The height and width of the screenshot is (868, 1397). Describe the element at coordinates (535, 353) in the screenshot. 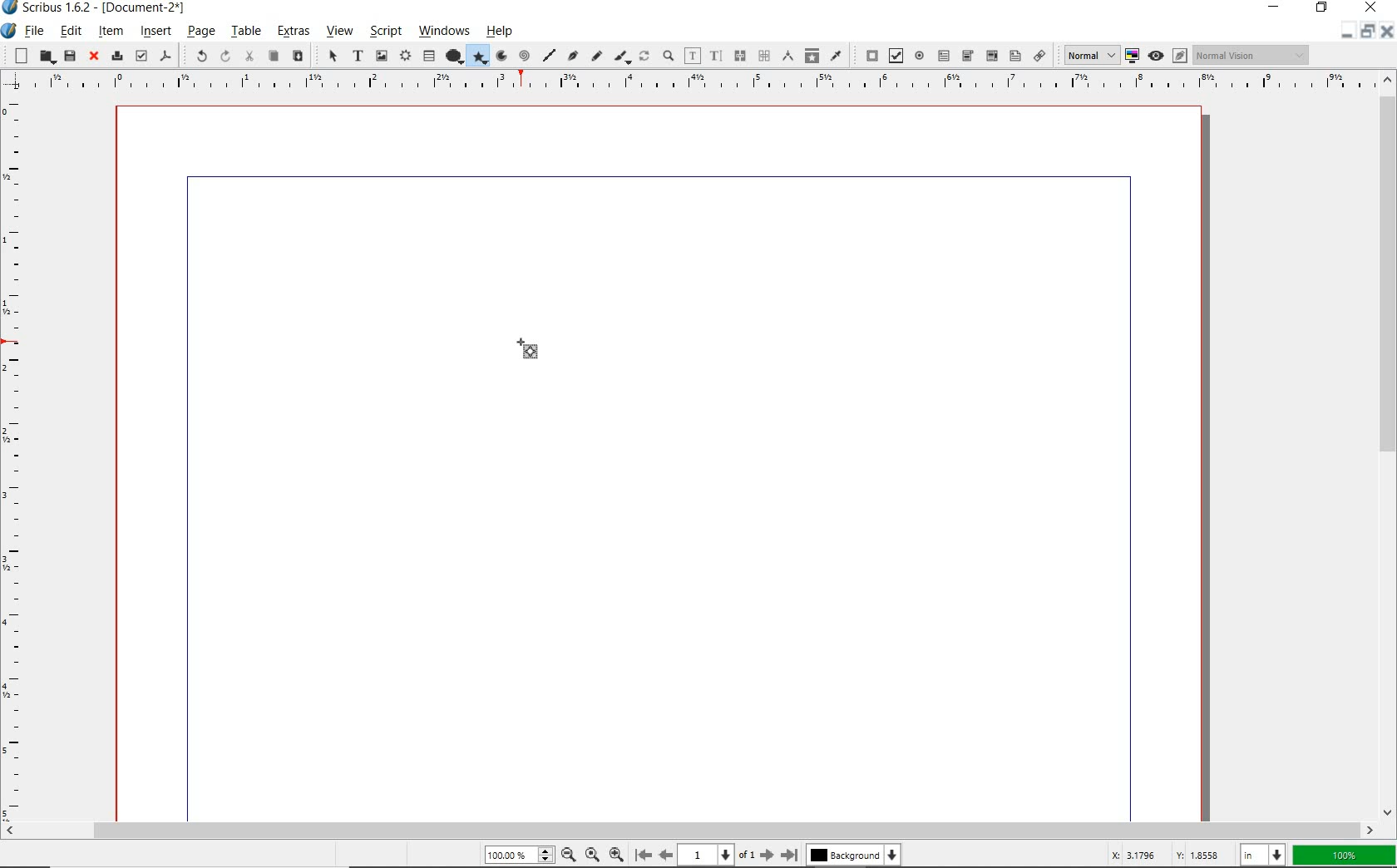

I see `POLGON TOOL` at that location.